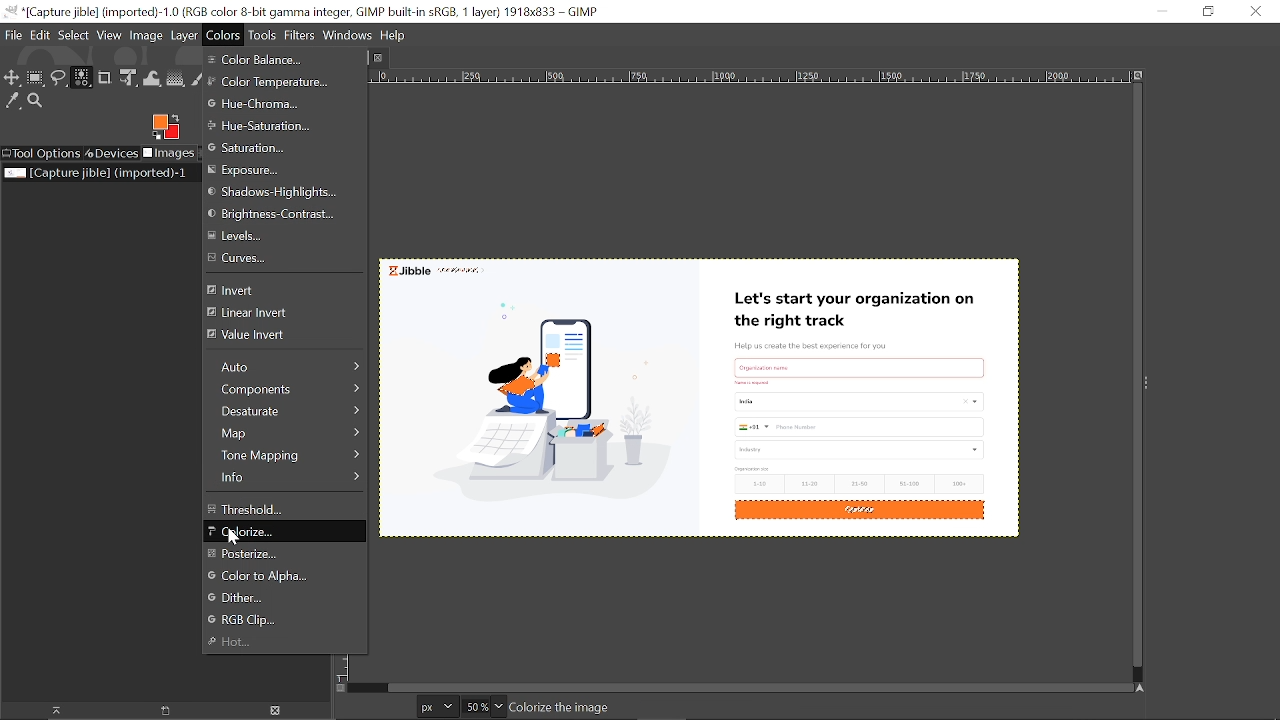  I want to click on Auto, so click(286, 365).